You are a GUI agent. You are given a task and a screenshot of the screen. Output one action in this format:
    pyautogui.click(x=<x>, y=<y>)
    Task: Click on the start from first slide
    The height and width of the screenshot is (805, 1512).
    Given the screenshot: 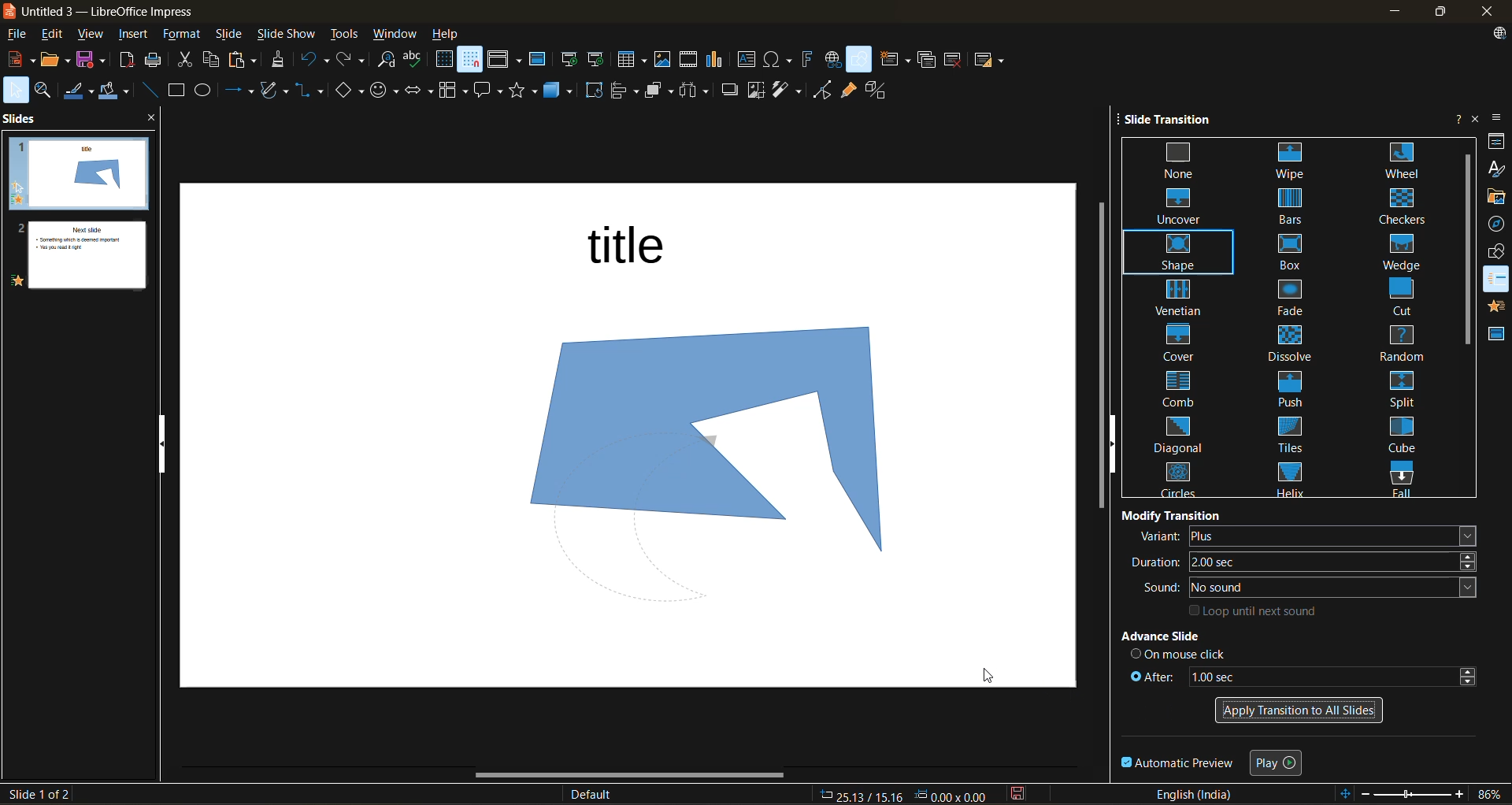 What is the action you would take?
    pyautogui.click(x=571, y=60)
    